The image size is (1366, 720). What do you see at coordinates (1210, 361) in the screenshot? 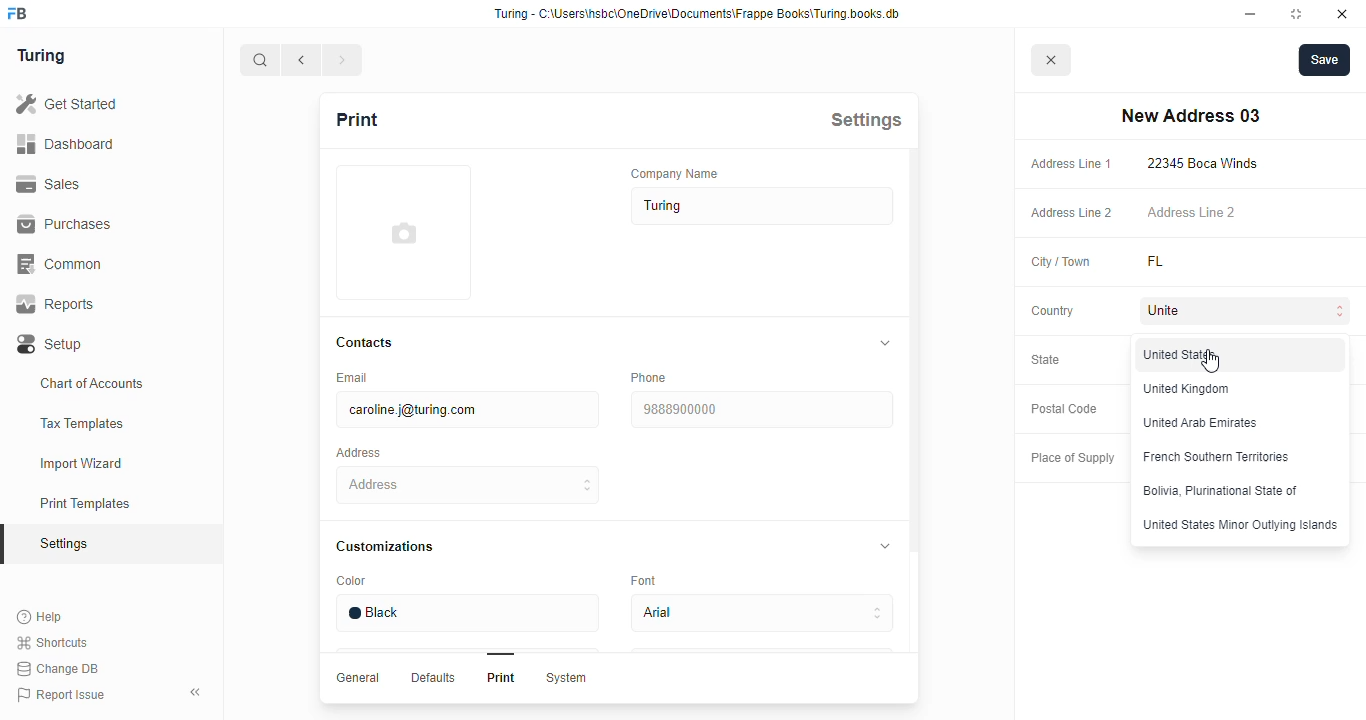
I see `cursor` at bounding box center [1210, 361].